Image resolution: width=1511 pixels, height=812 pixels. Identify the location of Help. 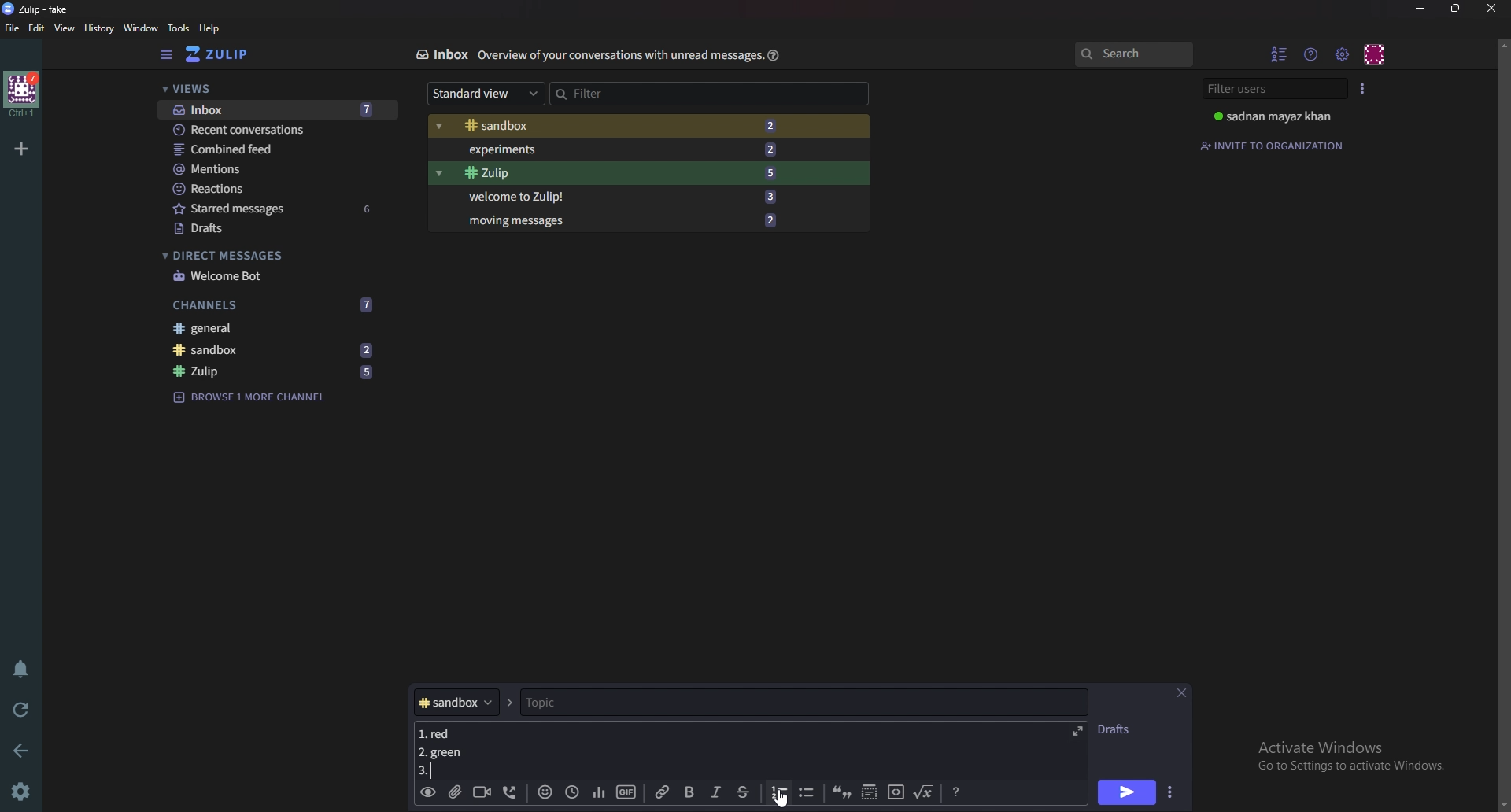
(771, 55).